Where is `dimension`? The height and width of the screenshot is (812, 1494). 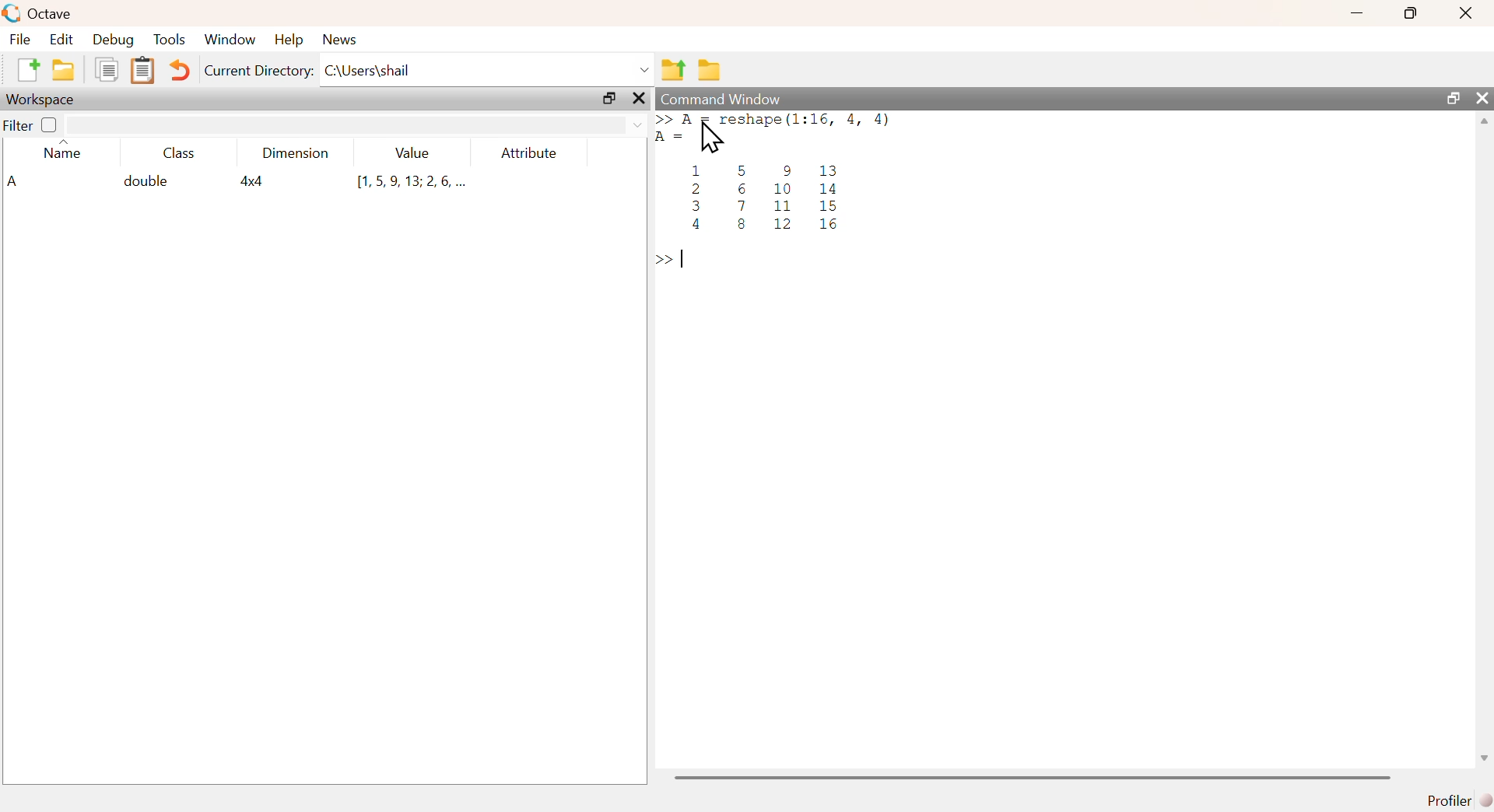 dimension is located at coordinates (300, 156).